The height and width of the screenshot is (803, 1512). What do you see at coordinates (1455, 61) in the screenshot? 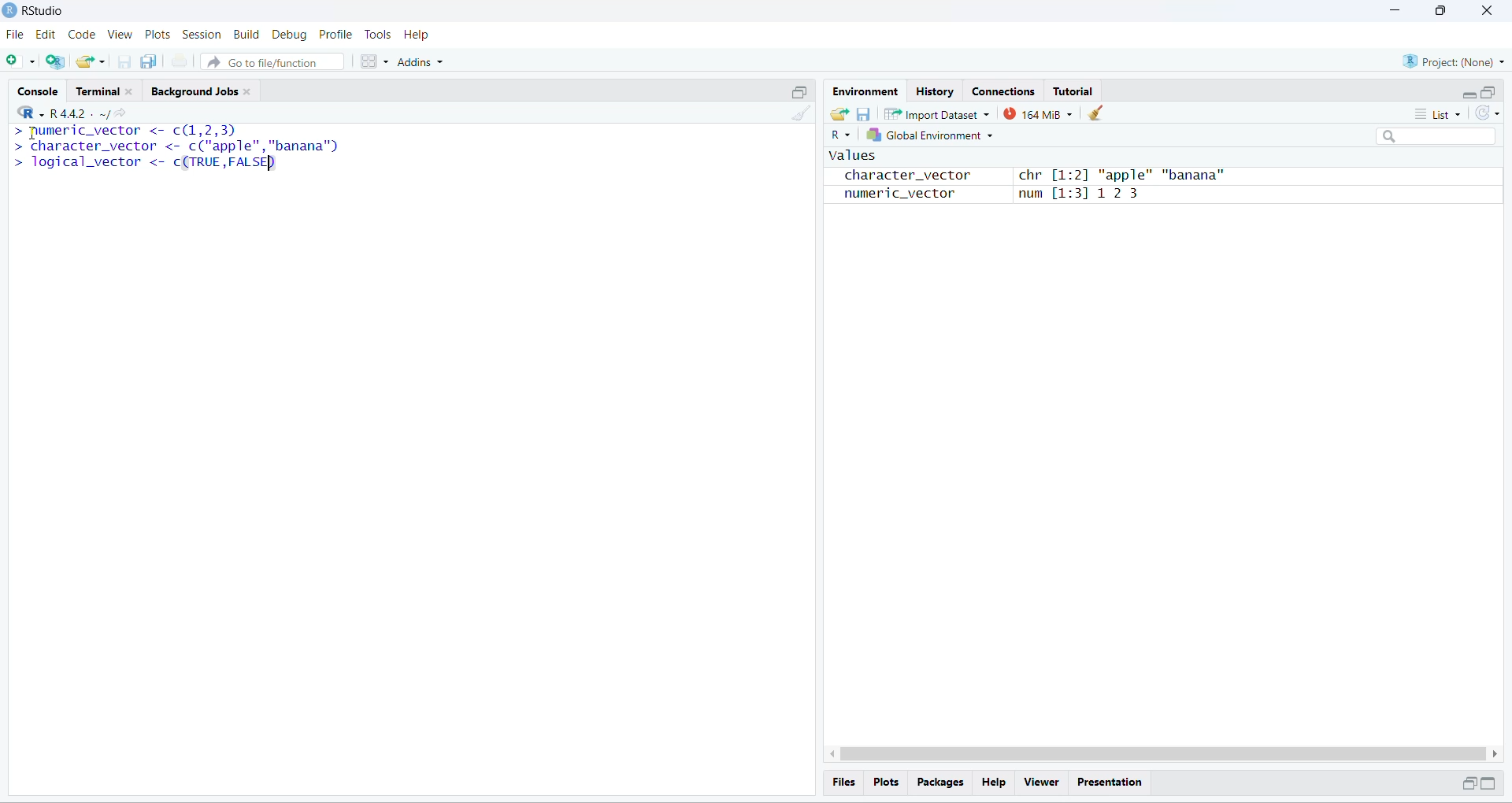
I see `Project: (None)` at bounding box center [1455, 61].